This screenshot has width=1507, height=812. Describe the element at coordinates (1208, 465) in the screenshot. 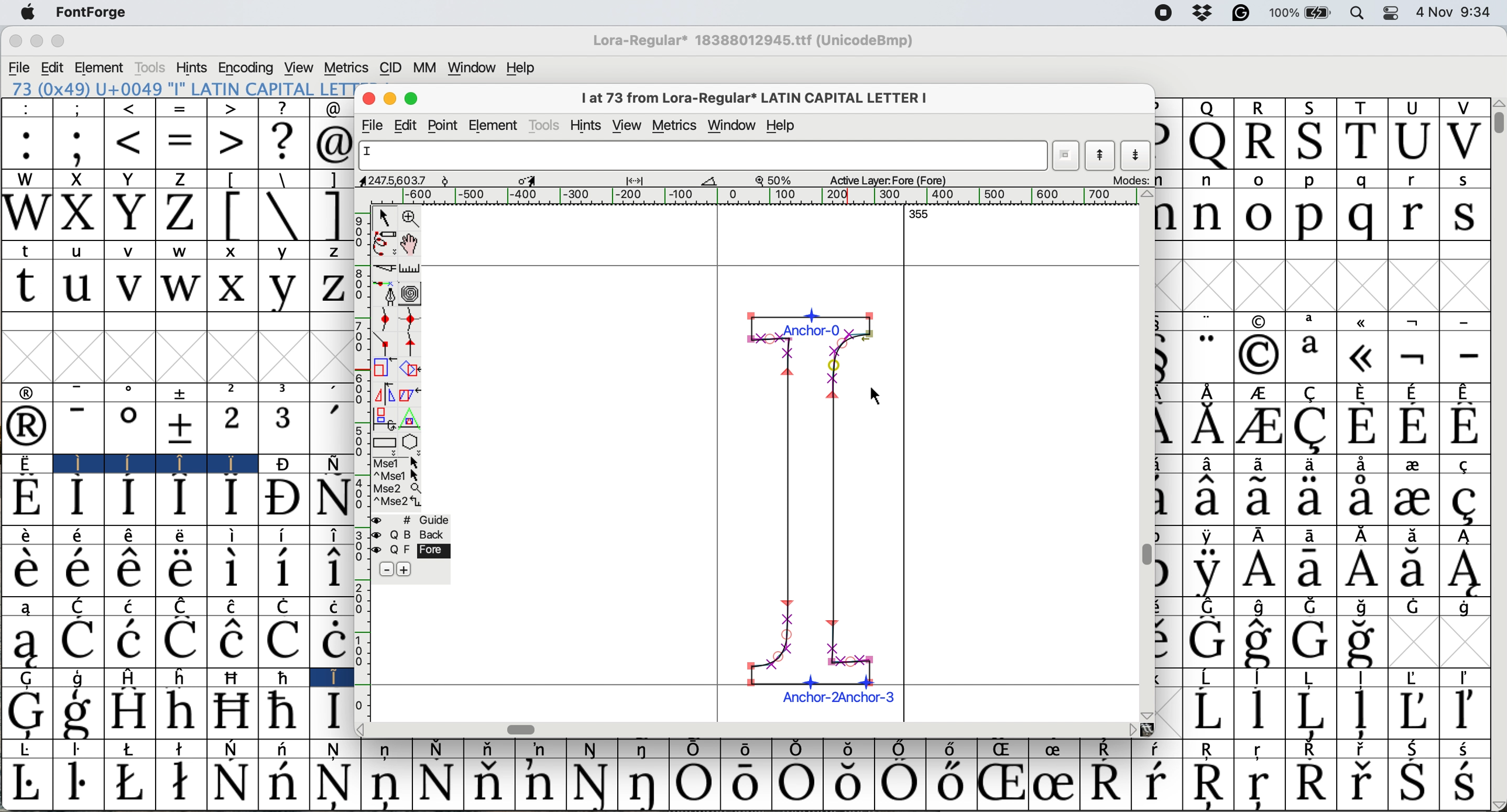

I see `Symbol` at that location.